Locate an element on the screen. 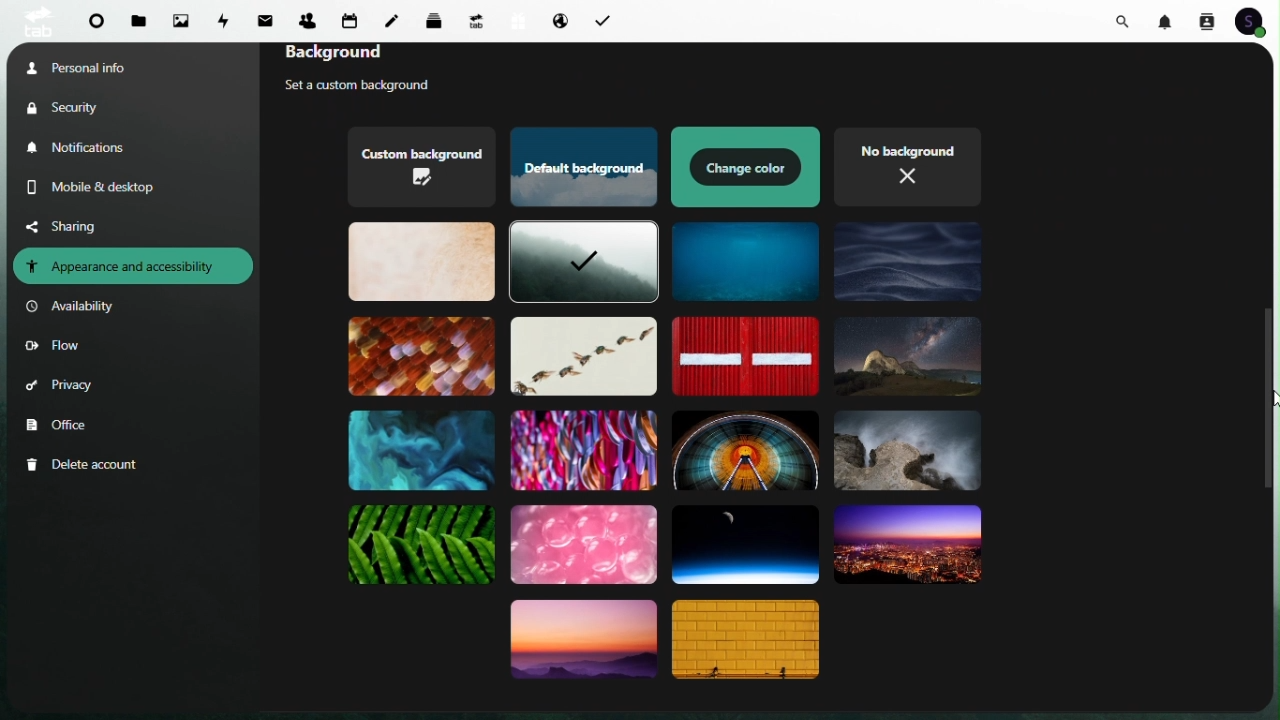 This screenshot has width=1280, height=720. Themes is located at coordinates (581, 263).